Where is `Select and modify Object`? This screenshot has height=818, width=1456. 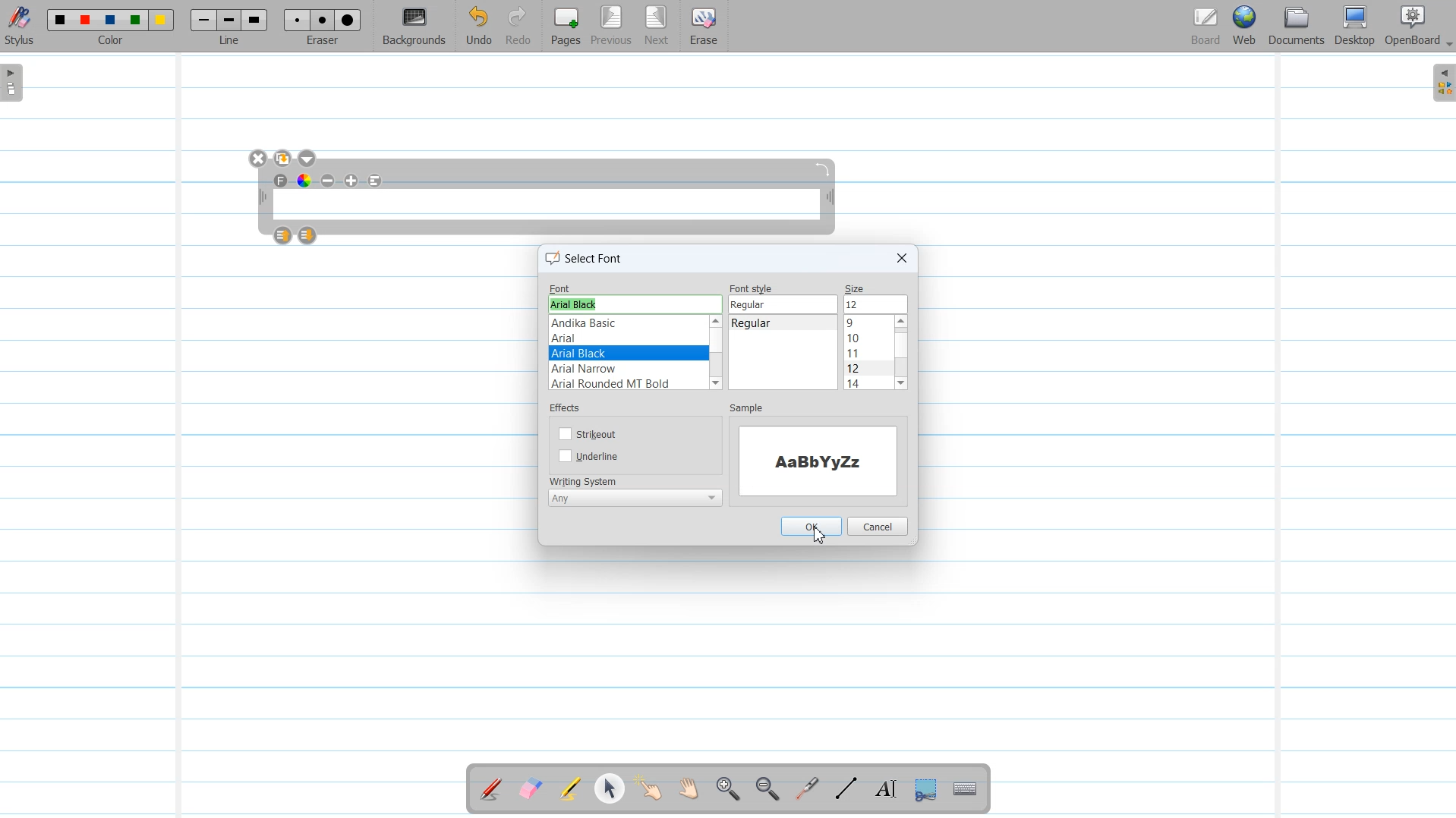
Select and modify Object is located at coordinates (610, 788).